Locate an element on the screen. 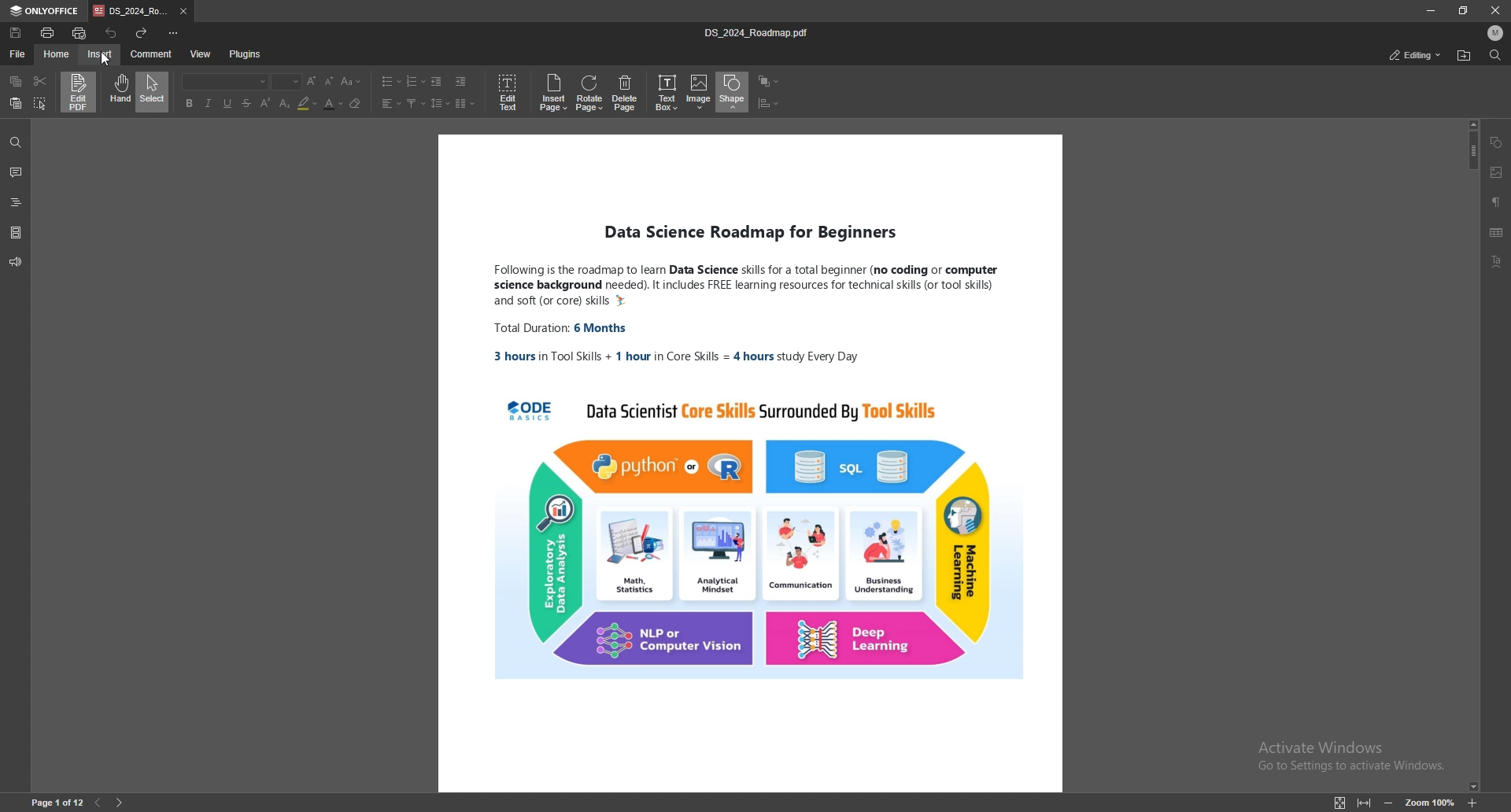 The width and height of the screenshot is (1511, 812). view is located at coordinates (201, 54).